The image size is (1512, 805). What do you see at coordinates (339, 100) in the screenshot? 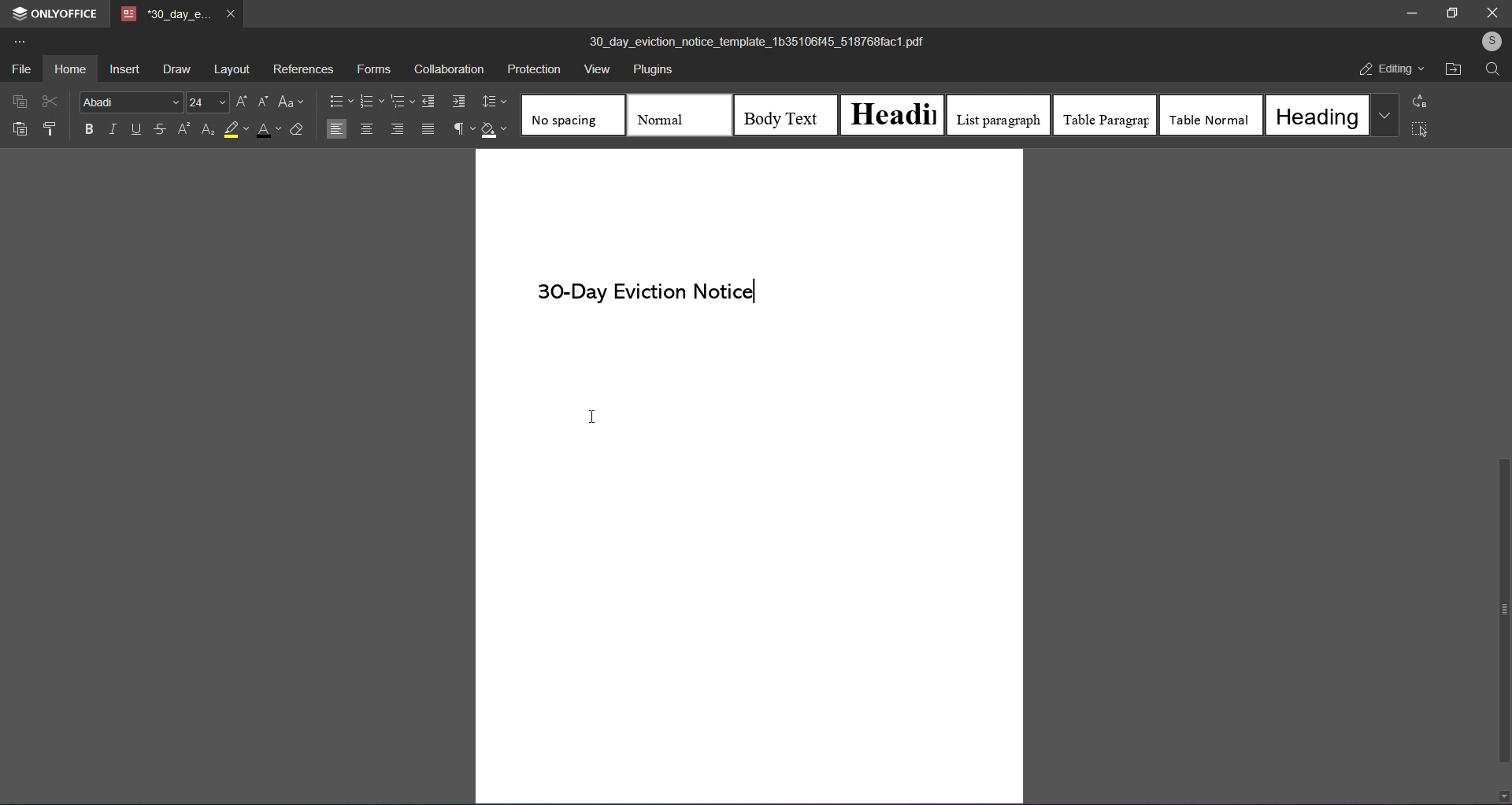
I see `bullets` at bounding box center [339, 100].